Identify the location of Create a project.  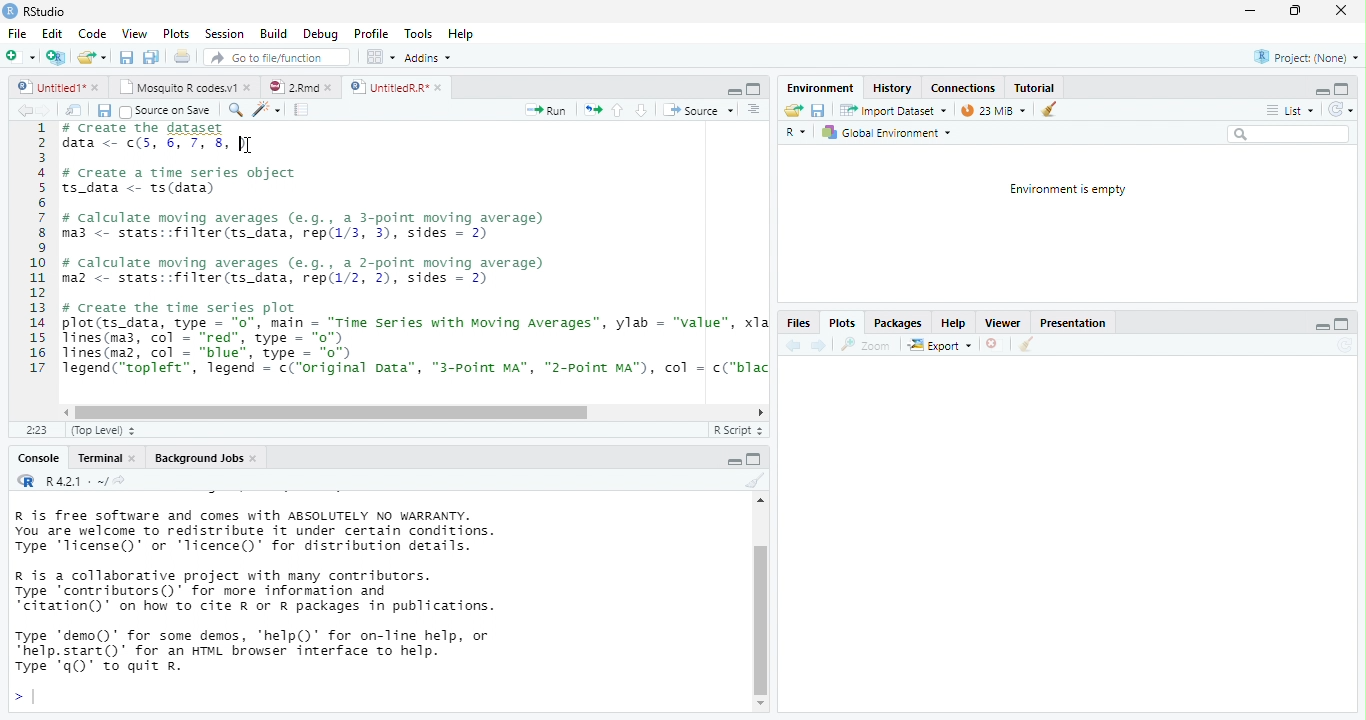
(55, 57).